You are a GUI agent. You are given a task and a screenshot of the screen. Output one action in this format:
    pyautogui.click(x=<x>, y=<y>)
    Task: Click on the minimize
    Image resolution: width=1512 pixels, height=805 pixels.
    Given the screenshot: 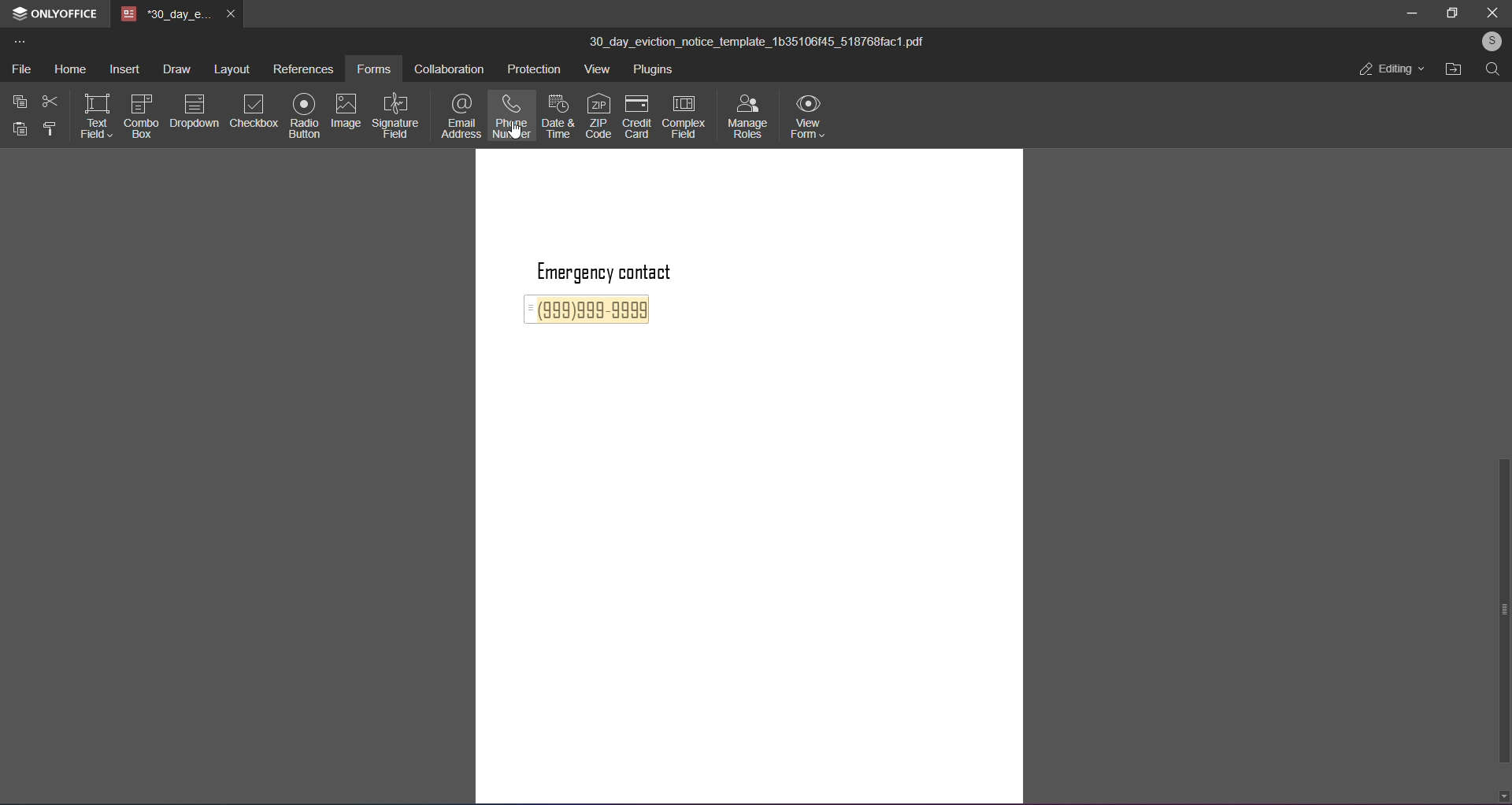 What is the action you would take?
    pyautogui.click(x=1412, y=13)
    